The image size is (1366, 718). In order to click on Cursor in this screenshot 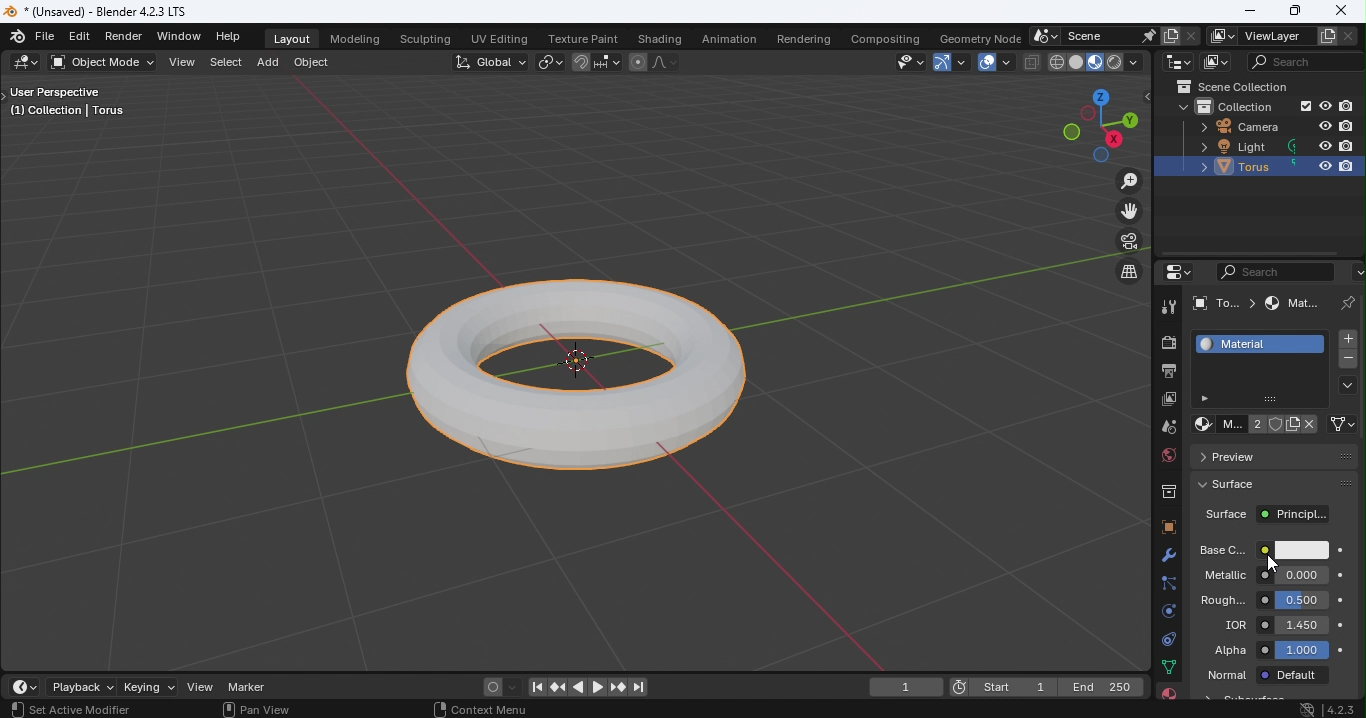, I will do `click(1271, 567)`.